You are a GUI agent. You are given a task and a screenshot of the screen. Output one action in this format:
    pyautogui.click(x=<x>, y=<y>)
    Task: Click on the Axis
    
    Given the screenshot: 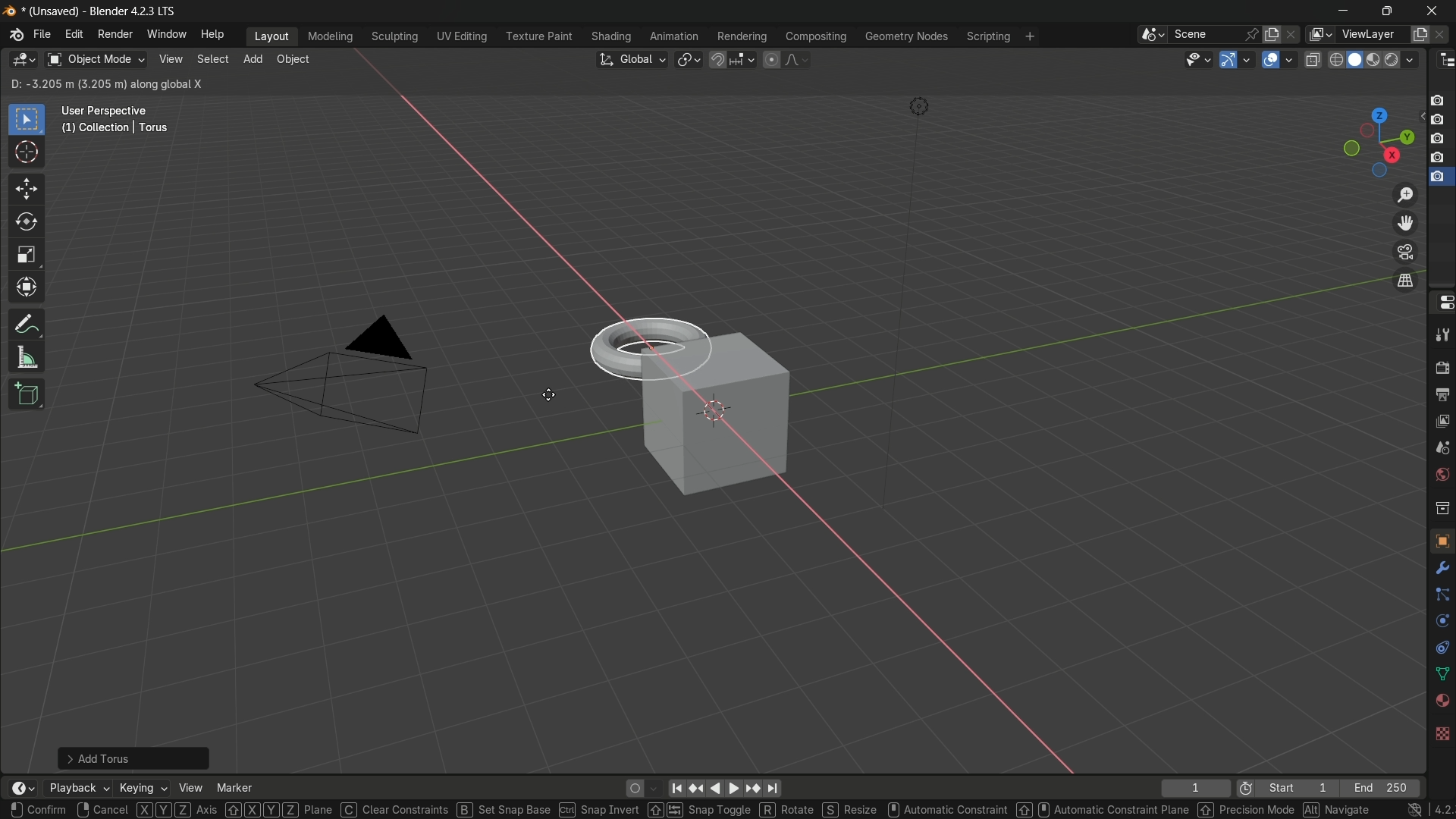 What is the action you would take?
    pyautogui.click(x=177, y=809)
    